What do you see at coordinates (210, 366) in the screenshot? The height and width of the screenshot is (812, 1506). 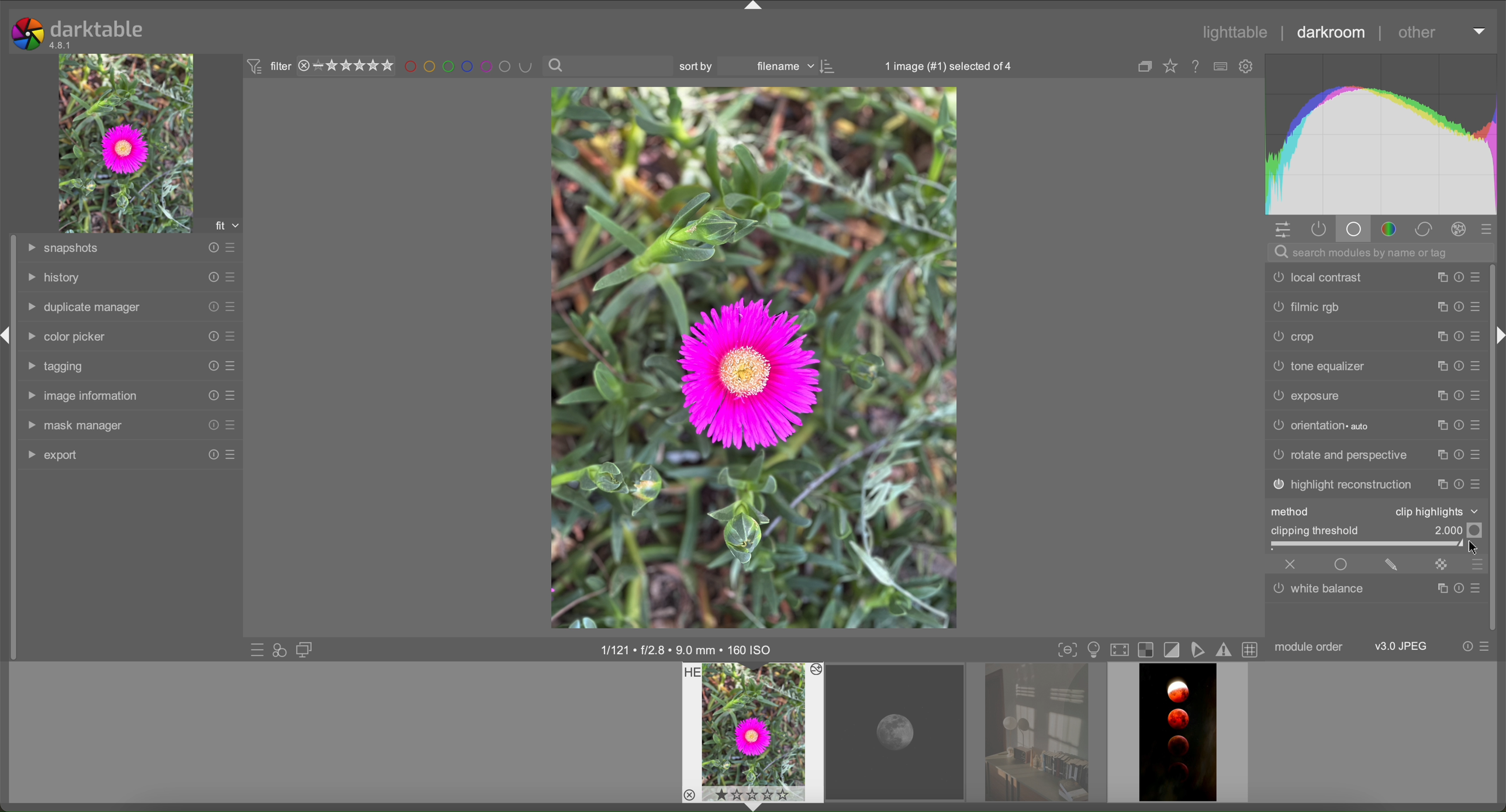 I see `reset presets` at bounding box center [210, 366].